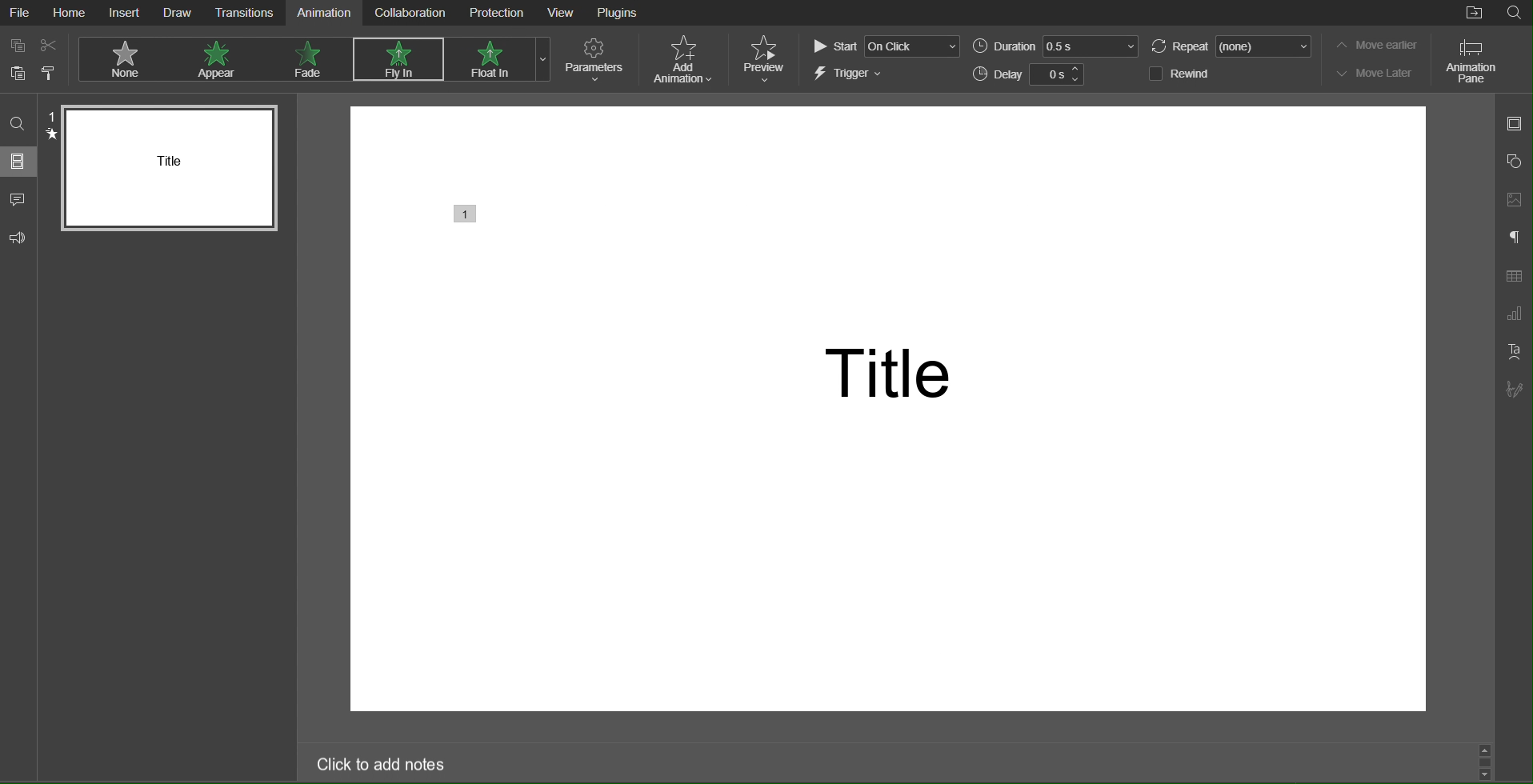 This screenshot has height=784, width=1533. Describe the element at coordinates (881, 370) in the screenshot. I see `Title` at that location.